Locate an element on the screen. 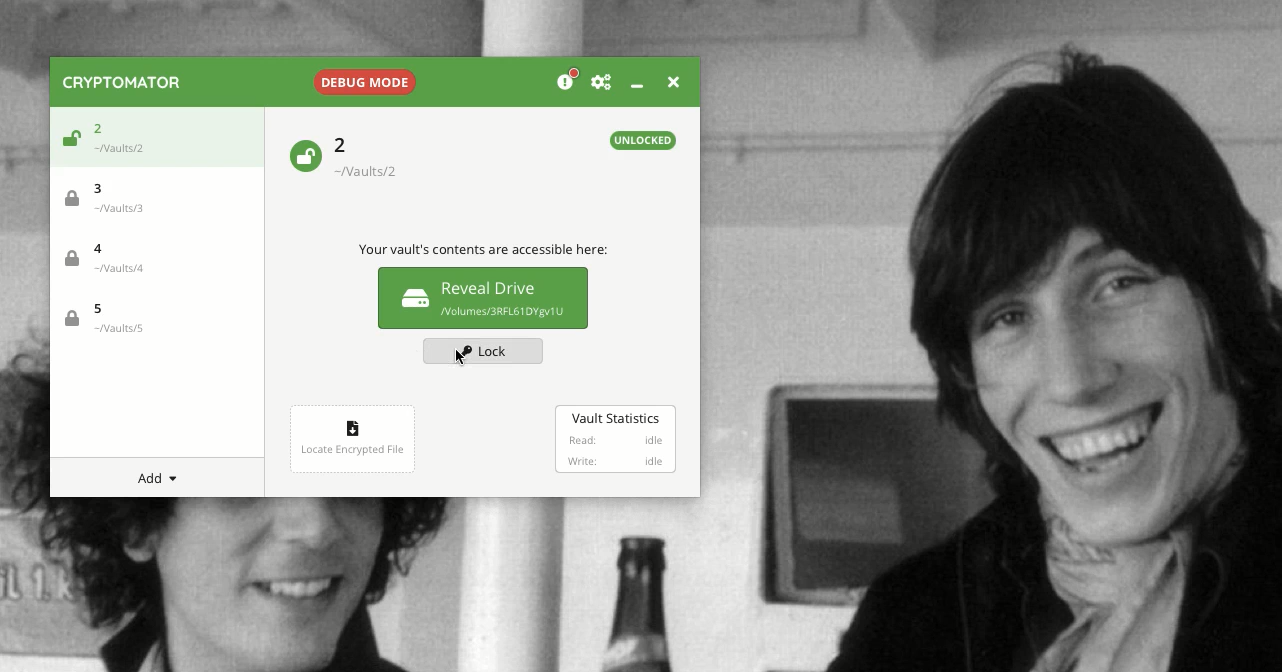 This screenshot has width=1282, height=672. Your vault's contents are accessible here is located at coordinates (483, 251).